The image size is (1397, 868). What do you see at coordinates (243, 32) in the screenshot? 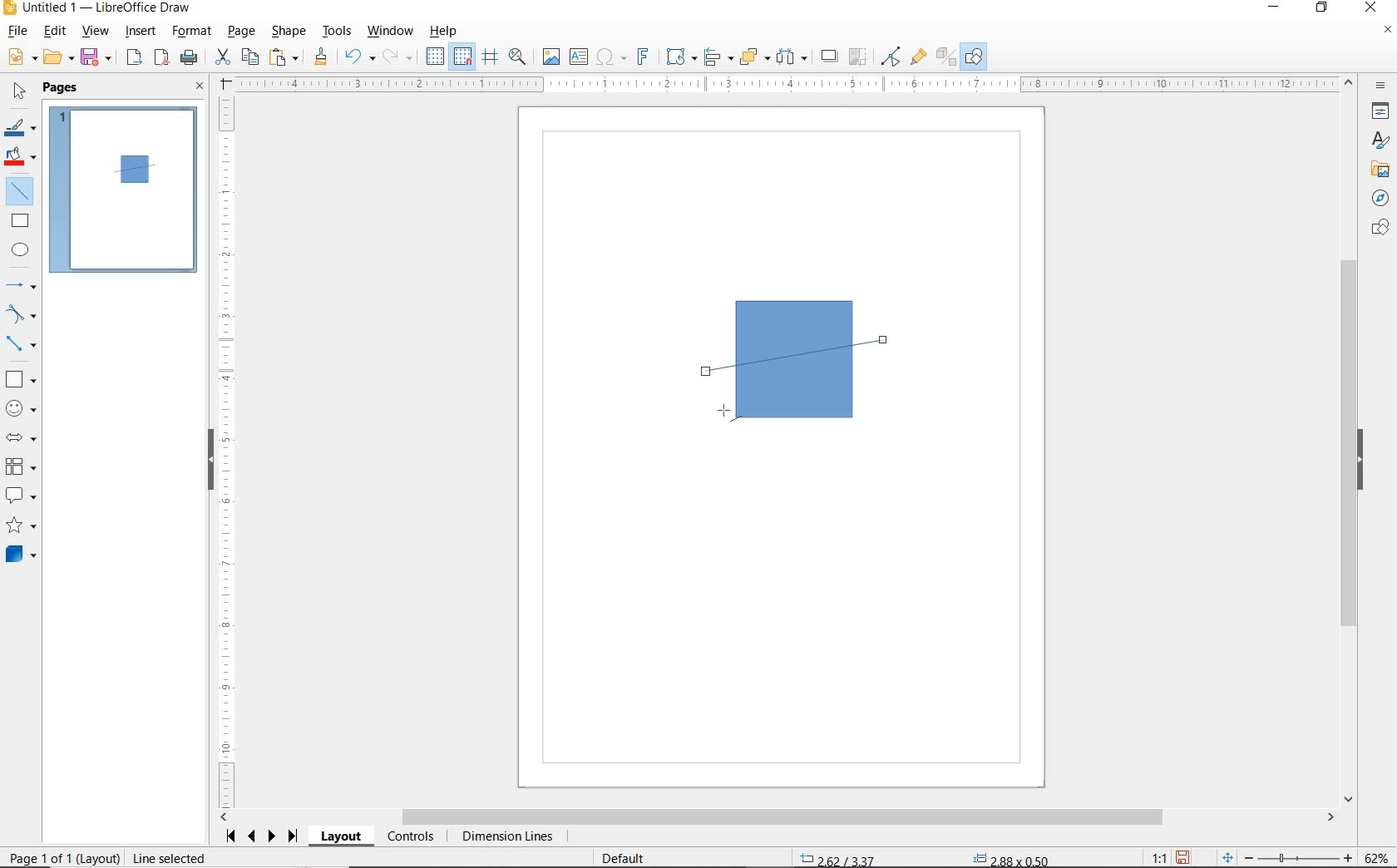
I see `PAGE` at bounding box center [243, 32].